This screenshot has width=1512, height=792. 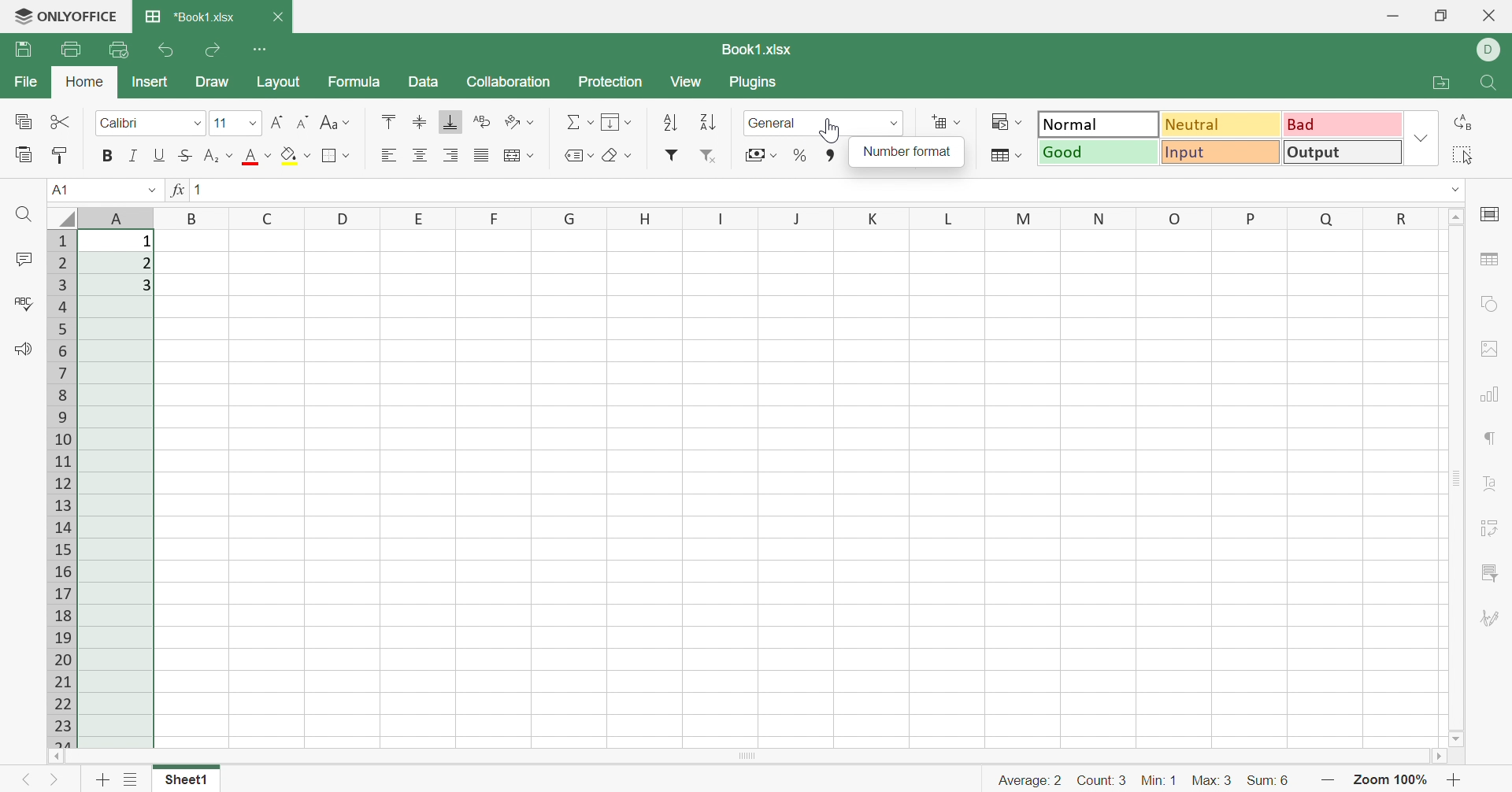 What do you see at coordinates (61, 191) in the screenshot?
I see `A1` at bounding box center [61, 191].